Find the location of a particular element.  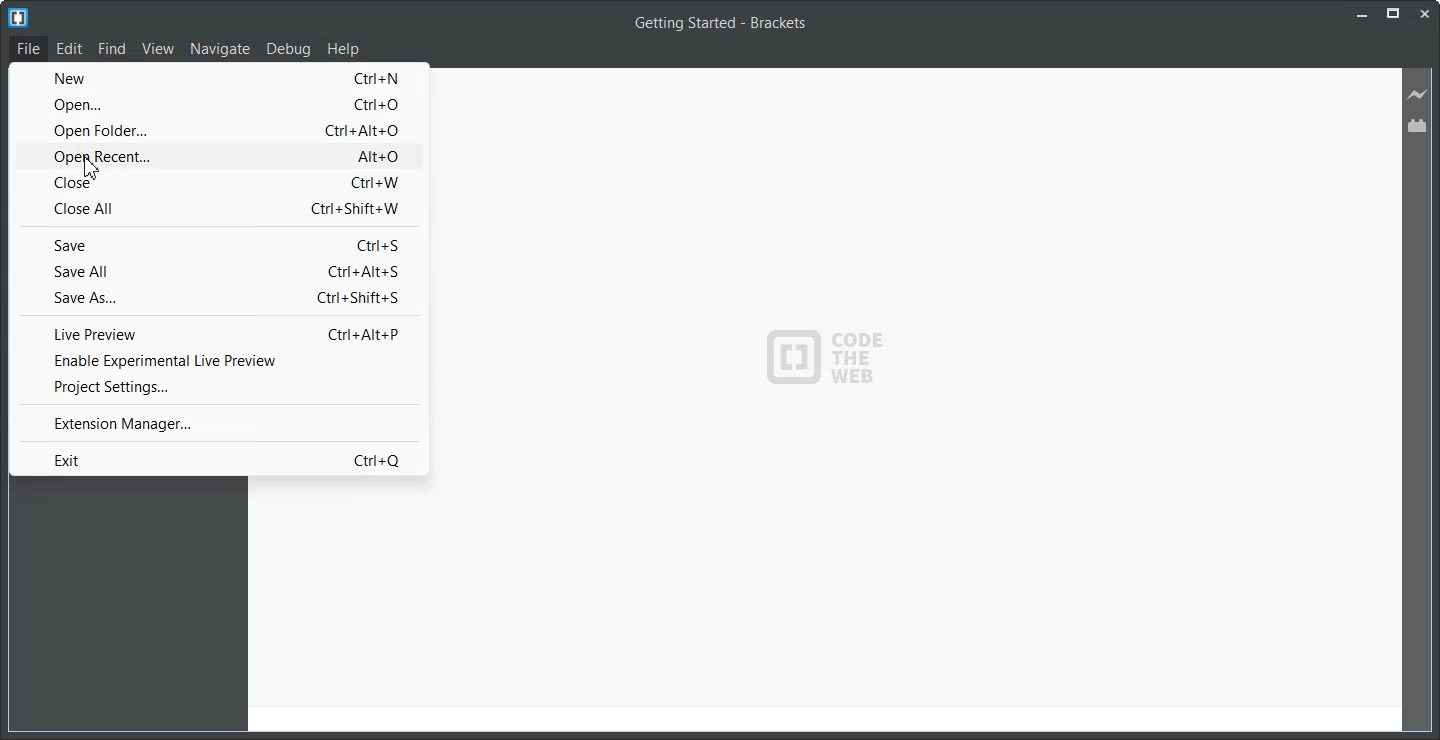

Save All is located at coordinates (219, 271).